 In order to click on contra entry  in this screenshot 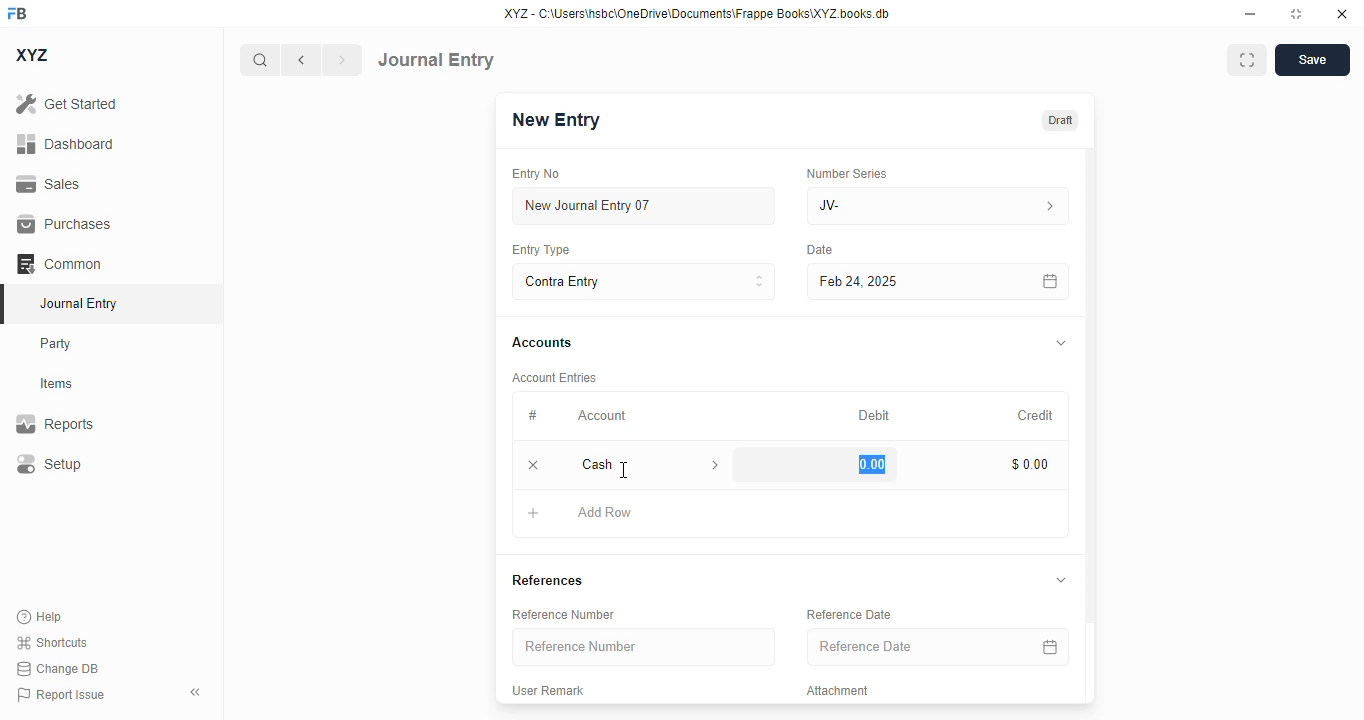, I will do `click(643, 280)`.